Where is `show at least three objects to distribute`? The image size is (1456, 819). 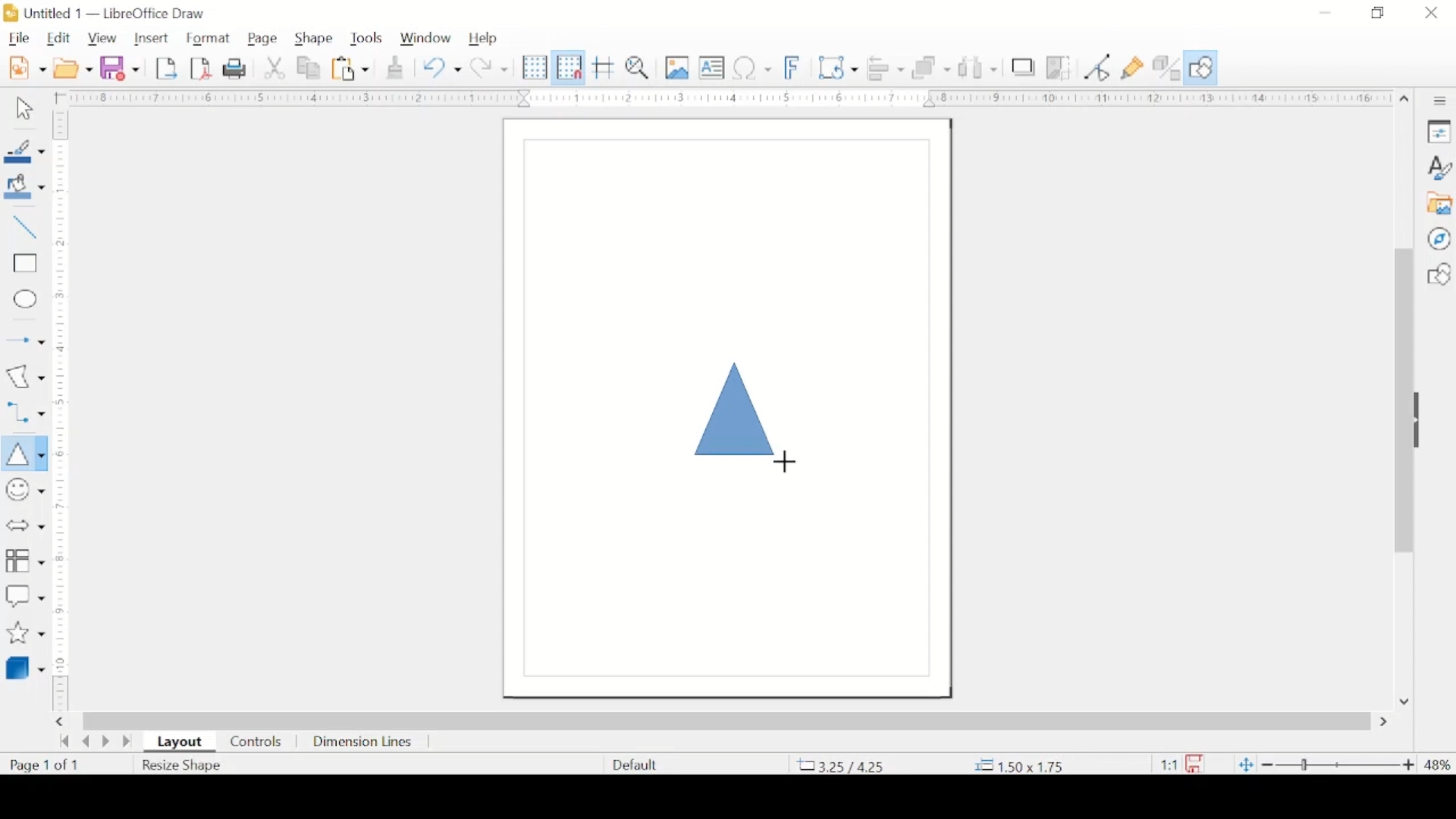 show at least three objects to distribute is located at coordinates (978, 68).